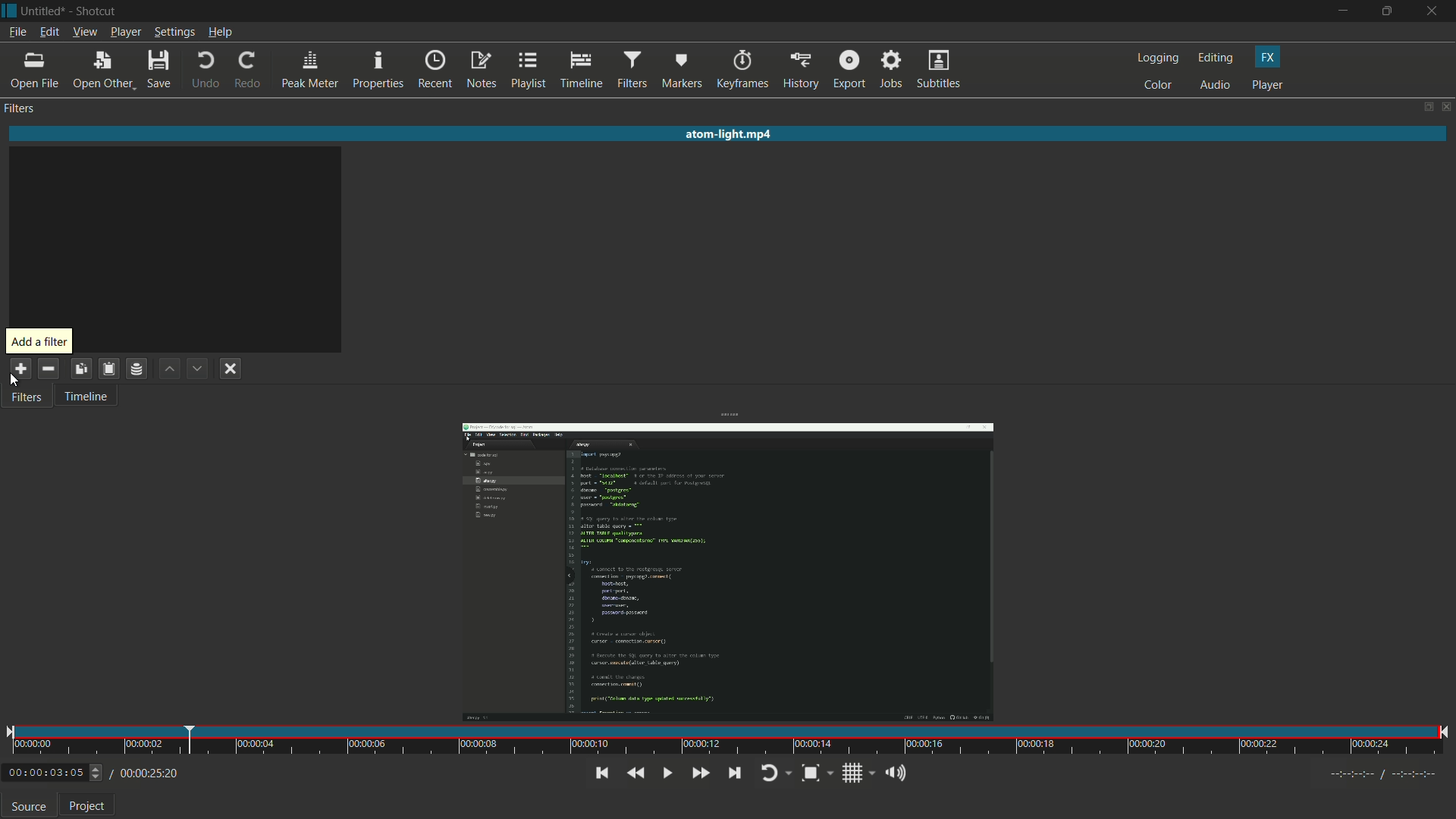  Describe the element at coordinates (15, 385) in the screenshot. I see `cursor` at that location.